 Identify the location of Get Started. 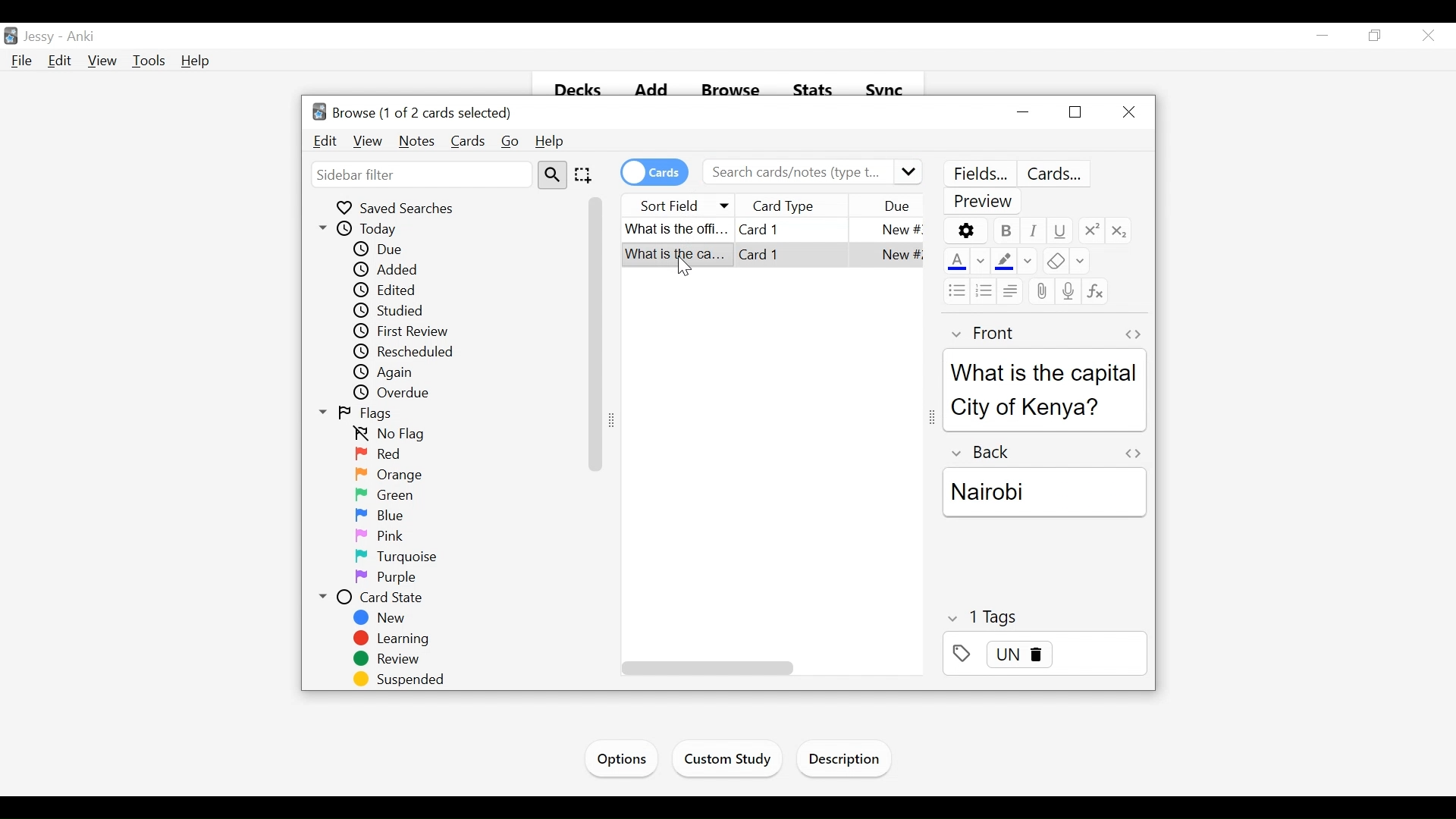
(626, 757).